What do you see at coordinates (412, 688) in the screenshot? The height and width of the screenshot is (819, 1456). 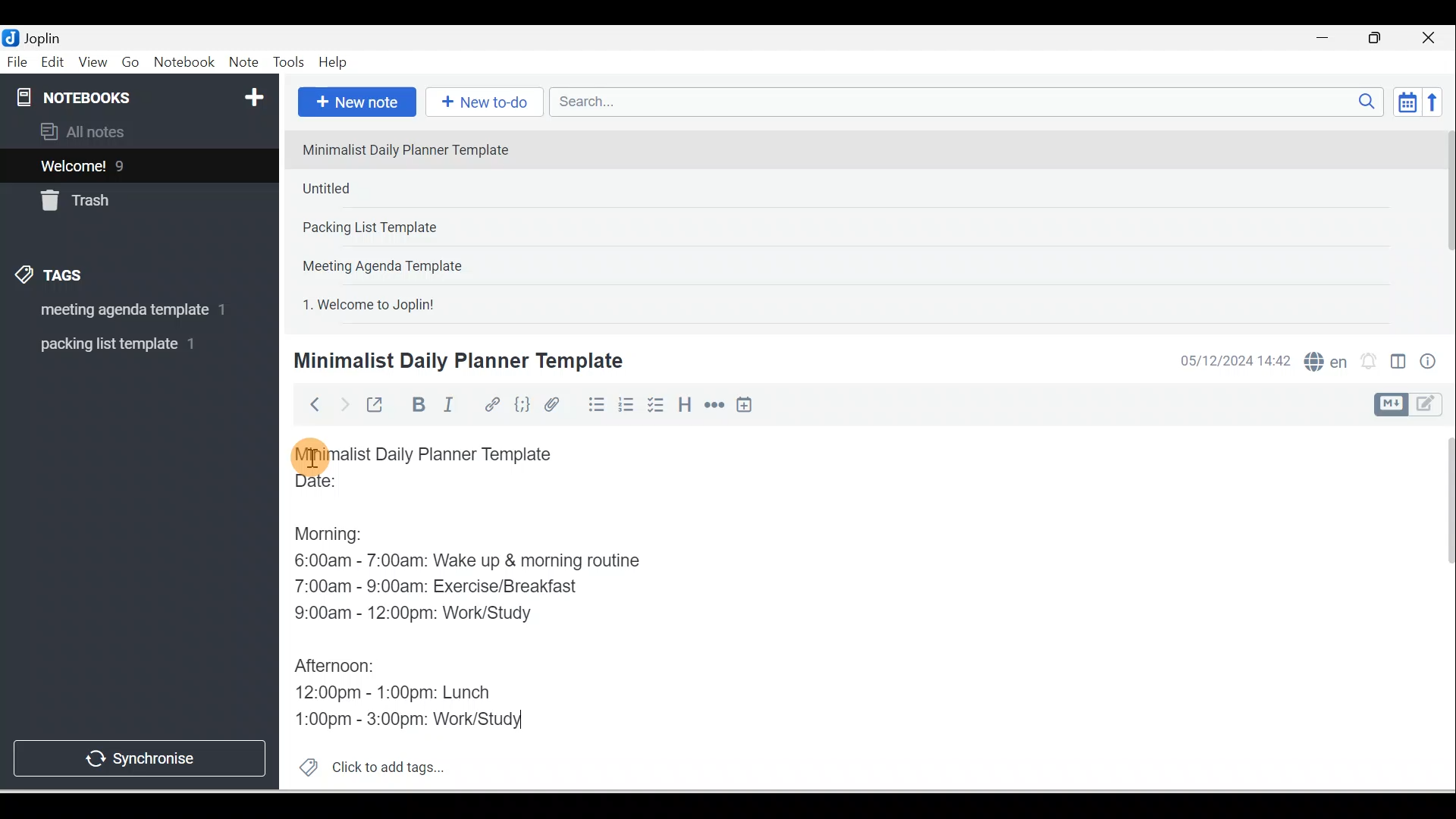 I see `12:00pm - 1:00pm: Lunch` at bounding box center [412, 688].